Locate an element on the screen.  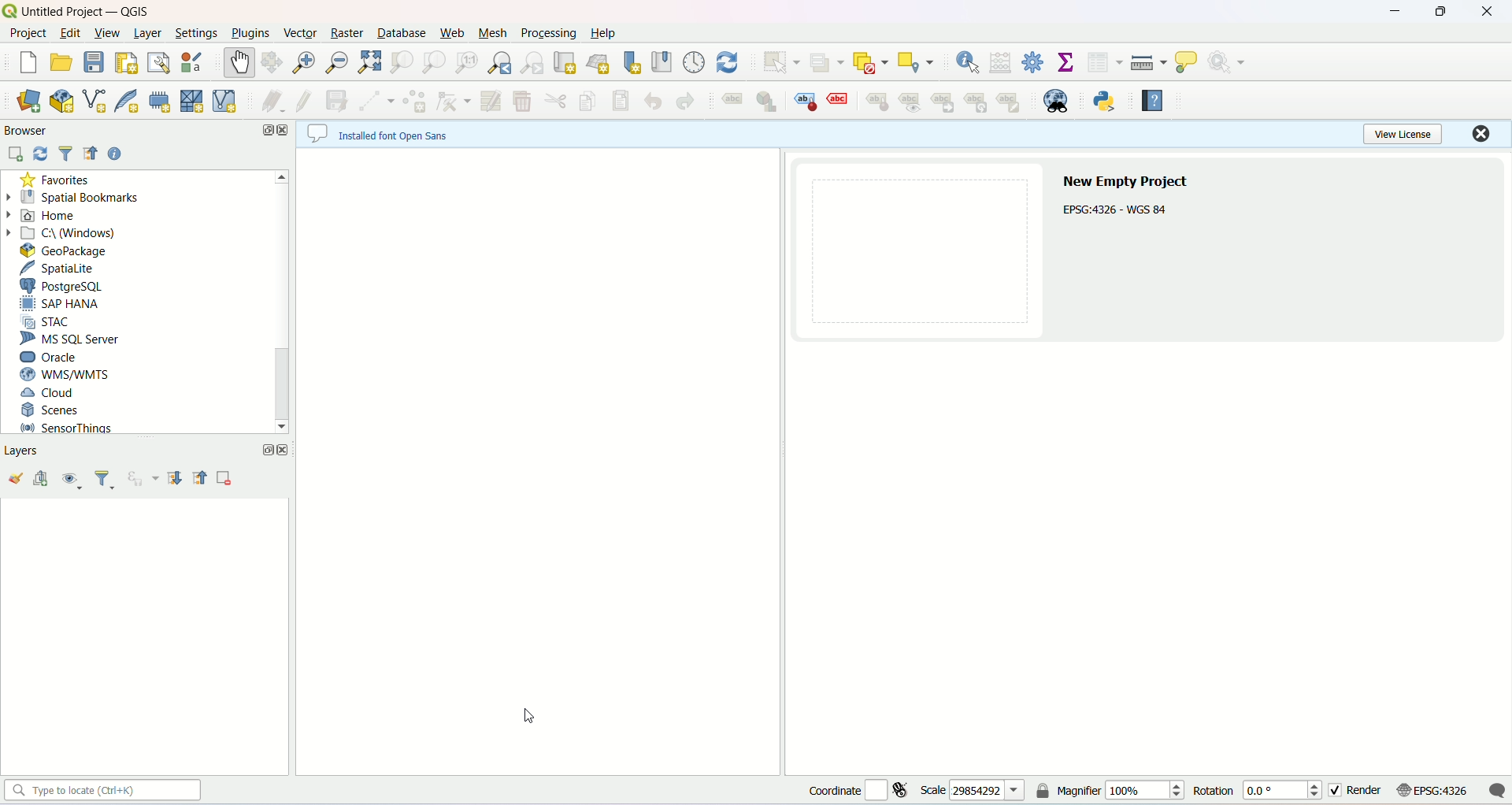
EPSG:4326 - WGS 84 is located at coordinates (1116, 210).